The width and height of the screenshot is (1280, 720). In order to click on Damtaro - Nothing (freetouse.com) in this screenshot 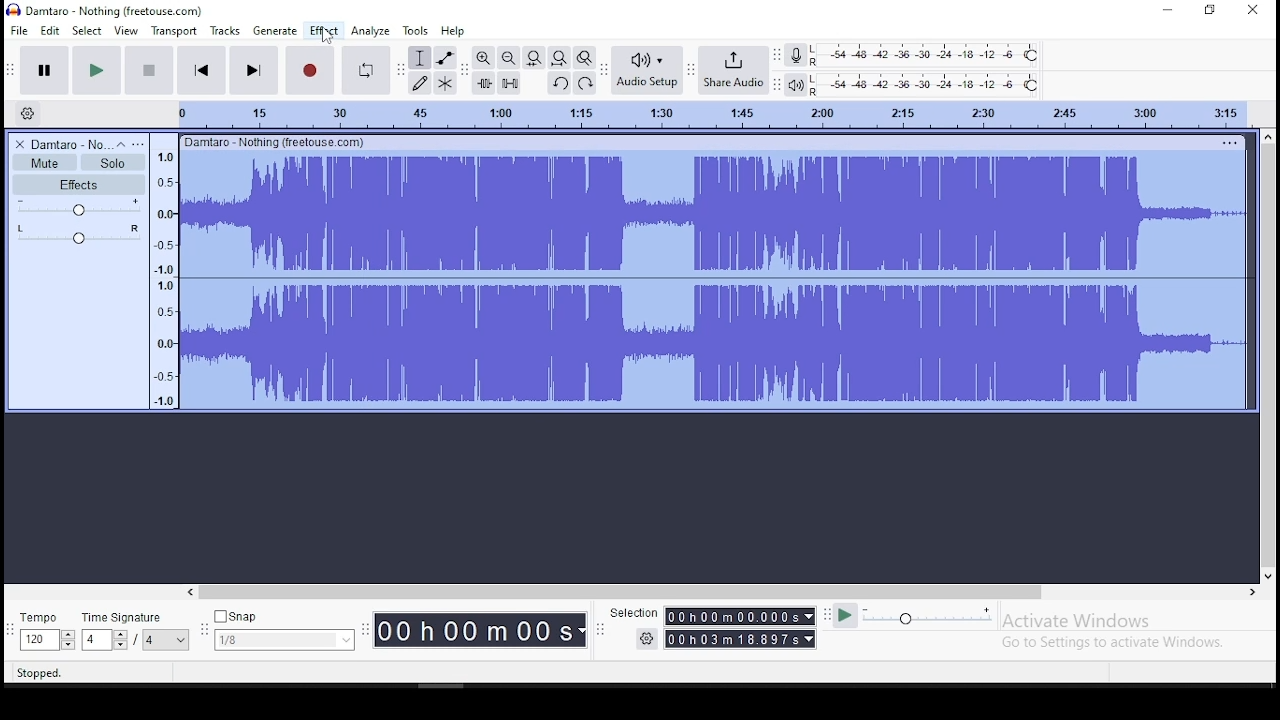, I will do `click(104, 11)`.